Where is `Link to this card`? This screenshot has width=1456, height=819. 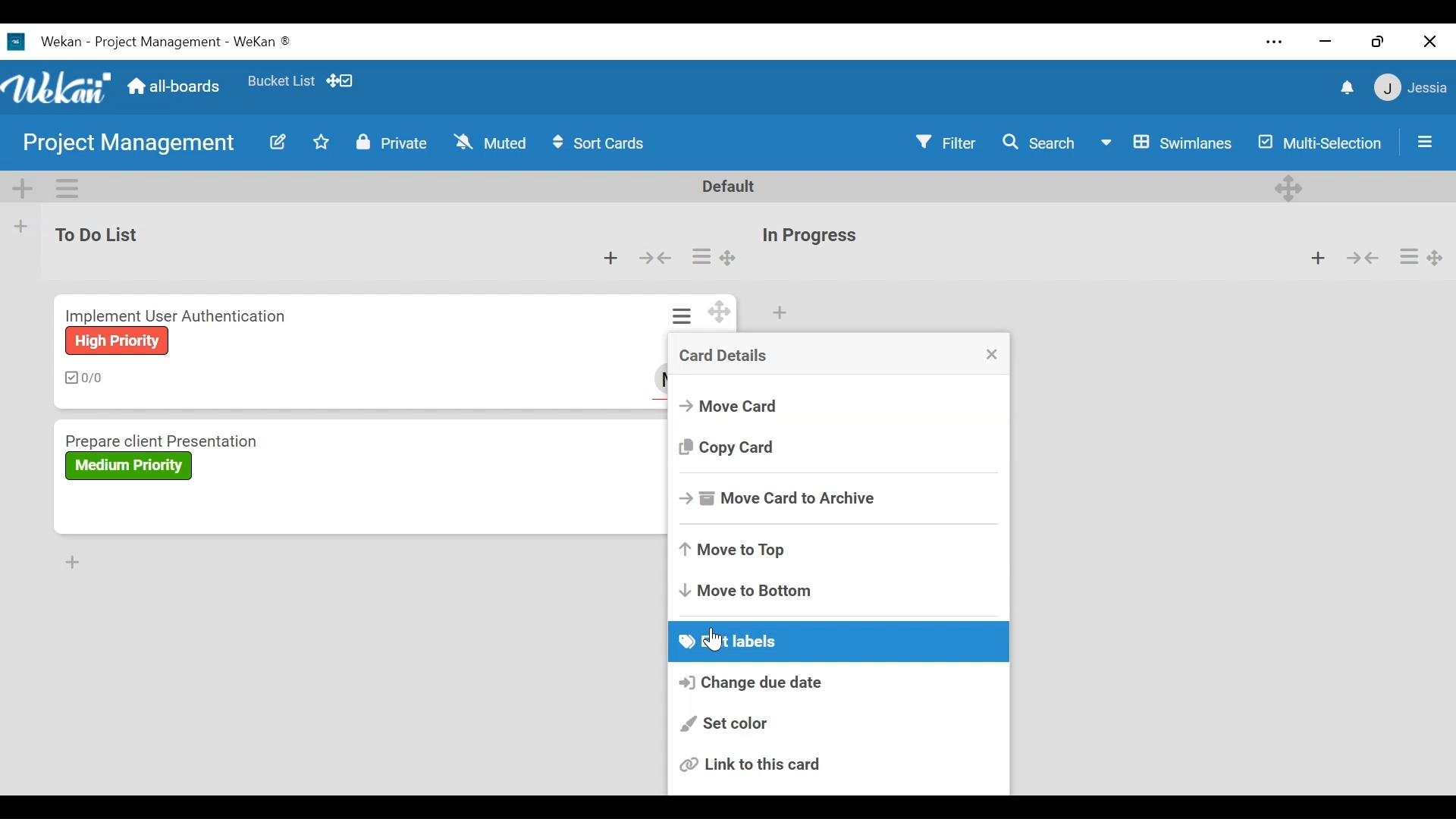 Link to this card is located at coordinates (836, 765).